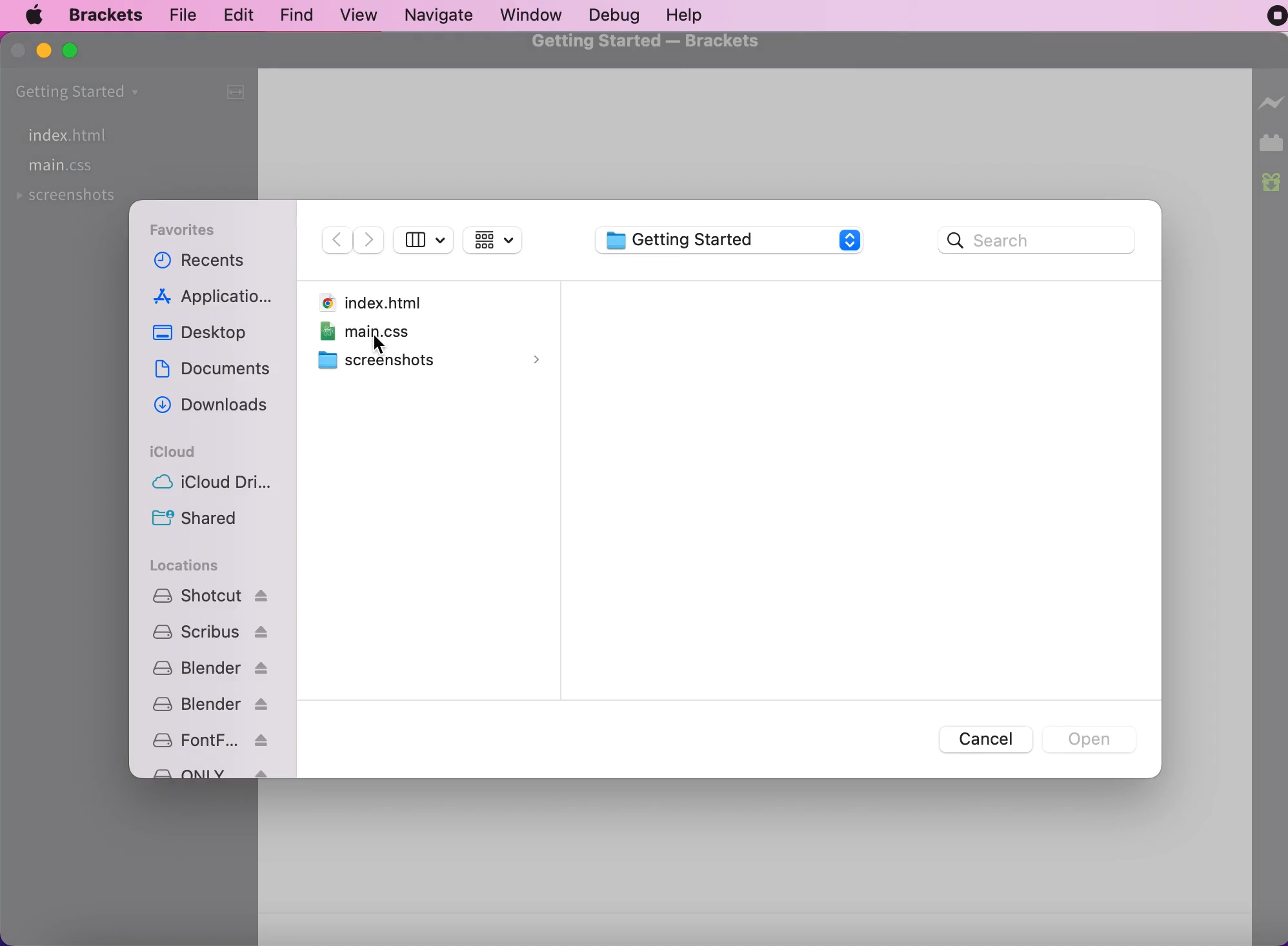 Image resolution: width=1288 pixels, height=946 pixels. Describe the element at coordinates (370, 238) in the screenshot. I see `forward` at that location.